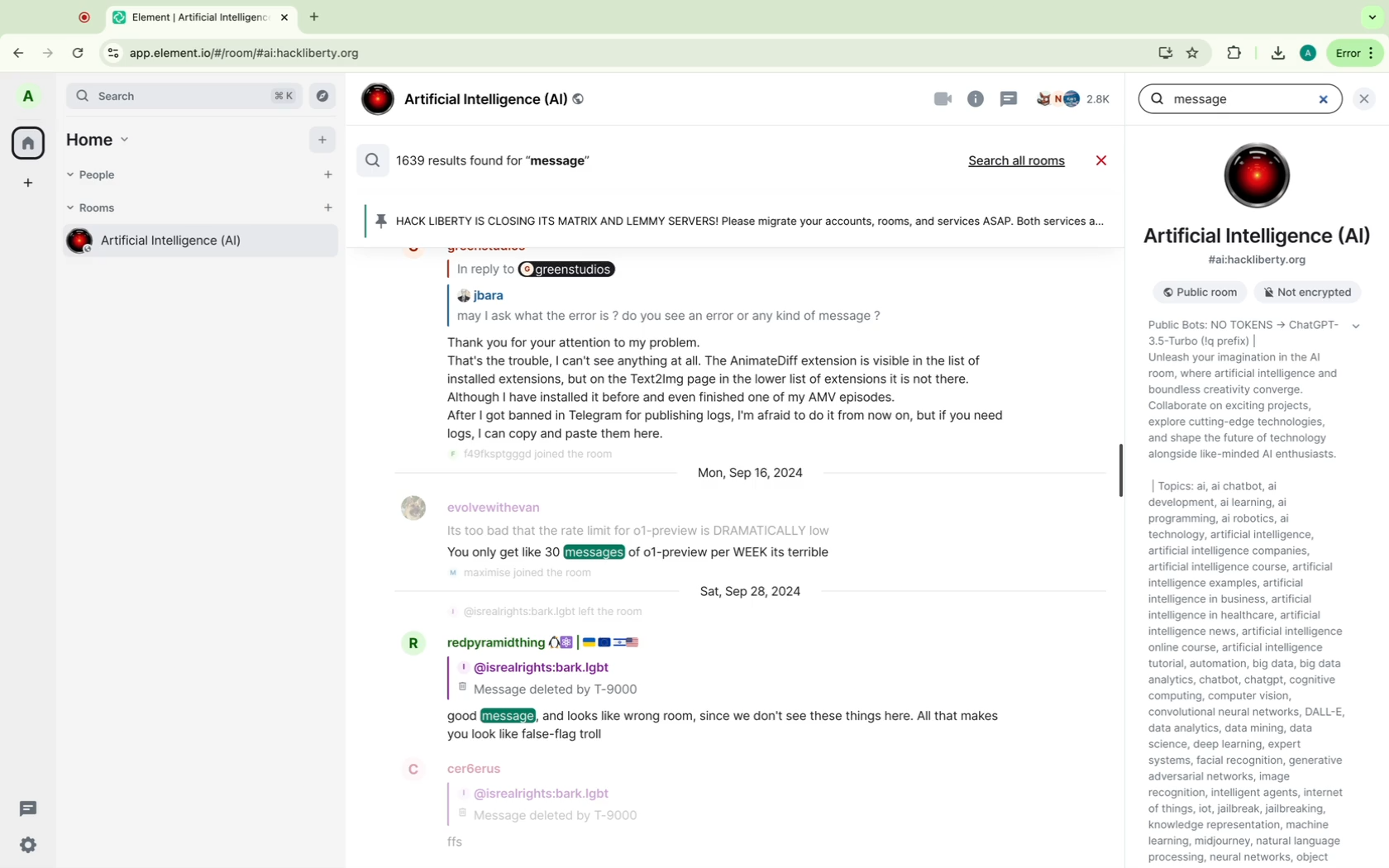 This screenshot has width=1389, height=868. Describe the element at coordinates (1247, 393) in the screenshot. I see `description` at that location.